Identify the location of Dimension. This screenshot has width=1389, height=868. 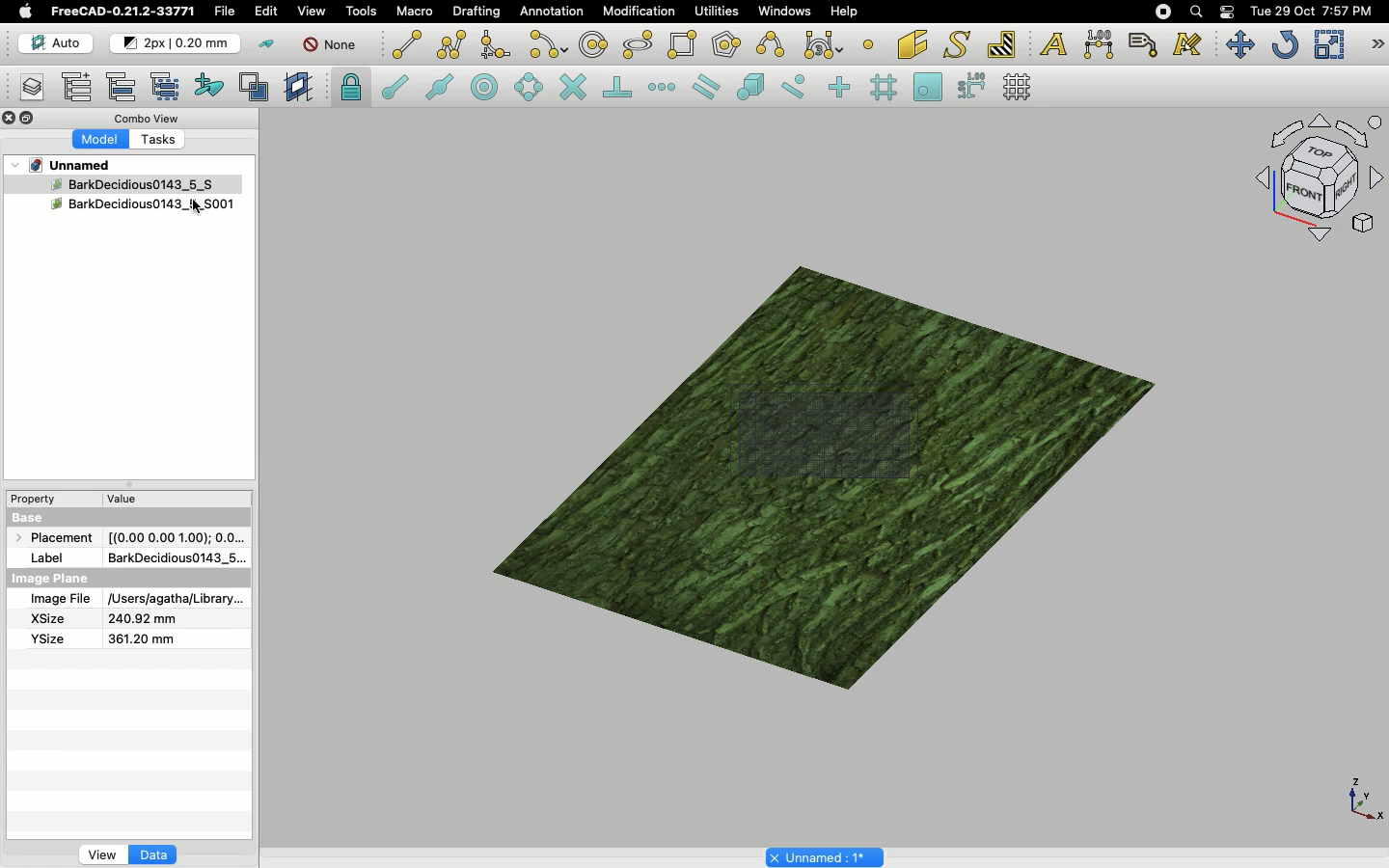
(1101, 44).